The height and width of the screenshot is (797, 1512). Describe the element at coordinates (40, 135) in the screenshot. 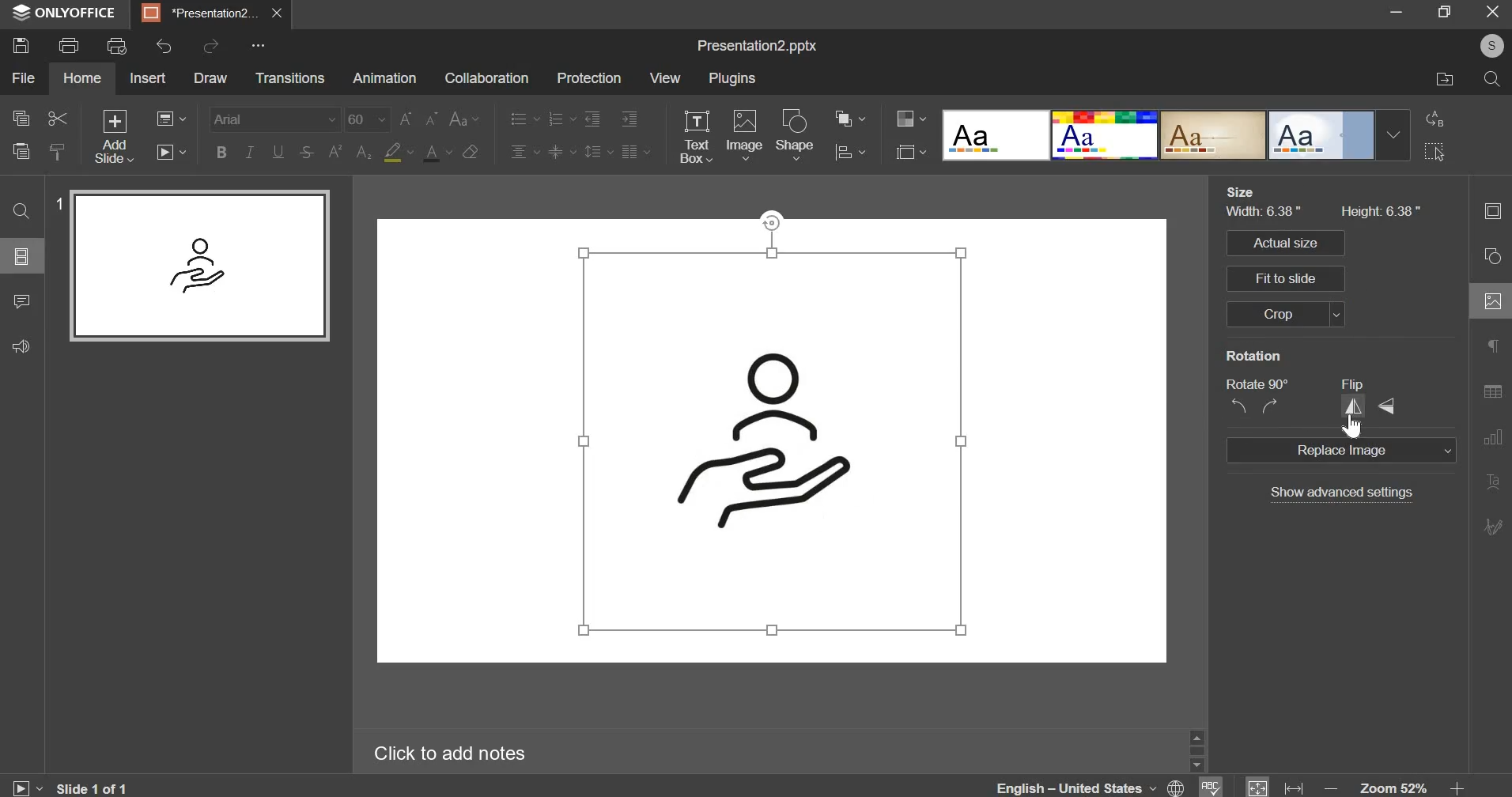

I see `copy, cut, paste & clear style` at that location.